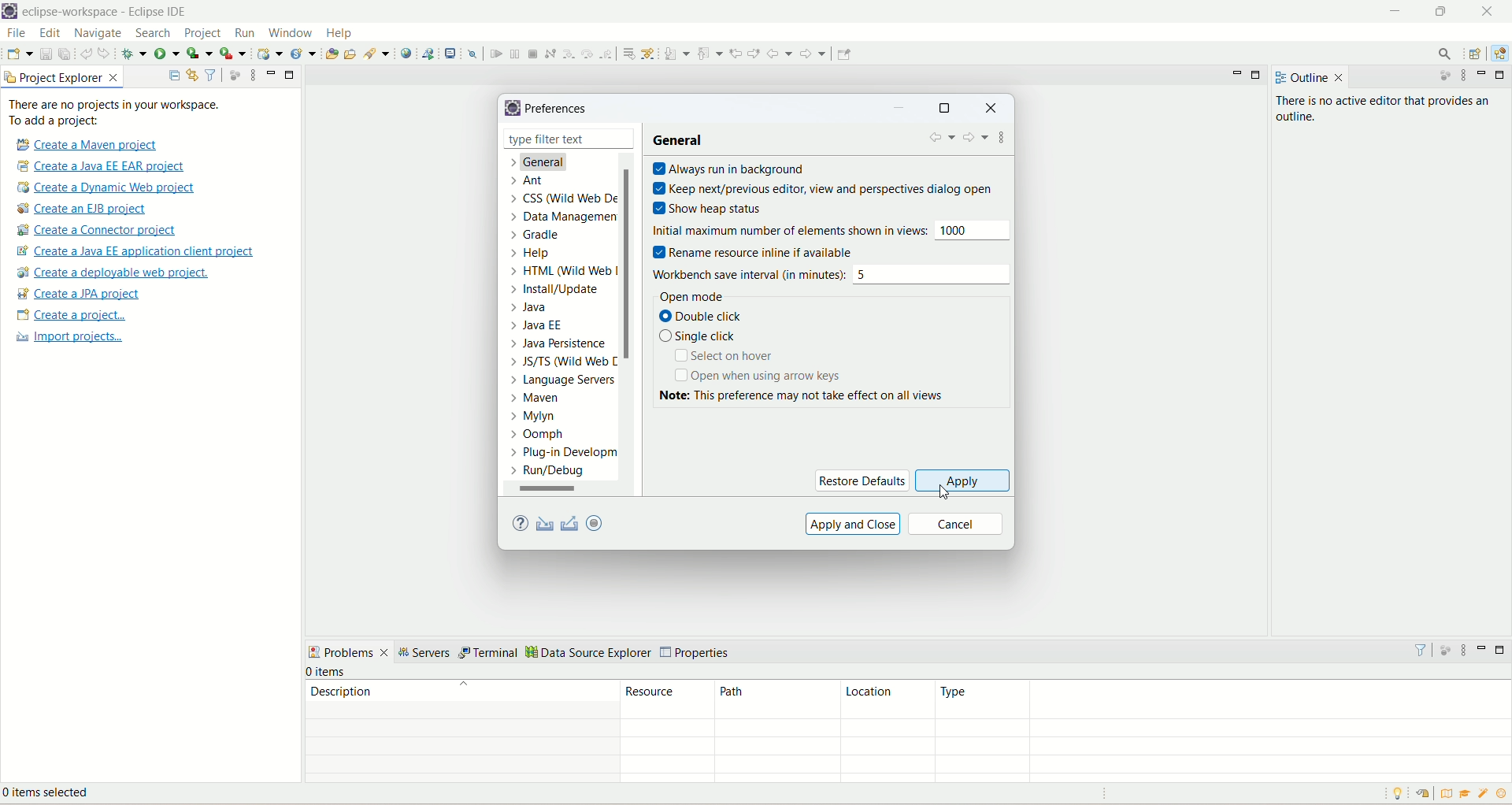  Describe the element at coordinates (67, 339) in the screenshot. I see `import projects` at that location.